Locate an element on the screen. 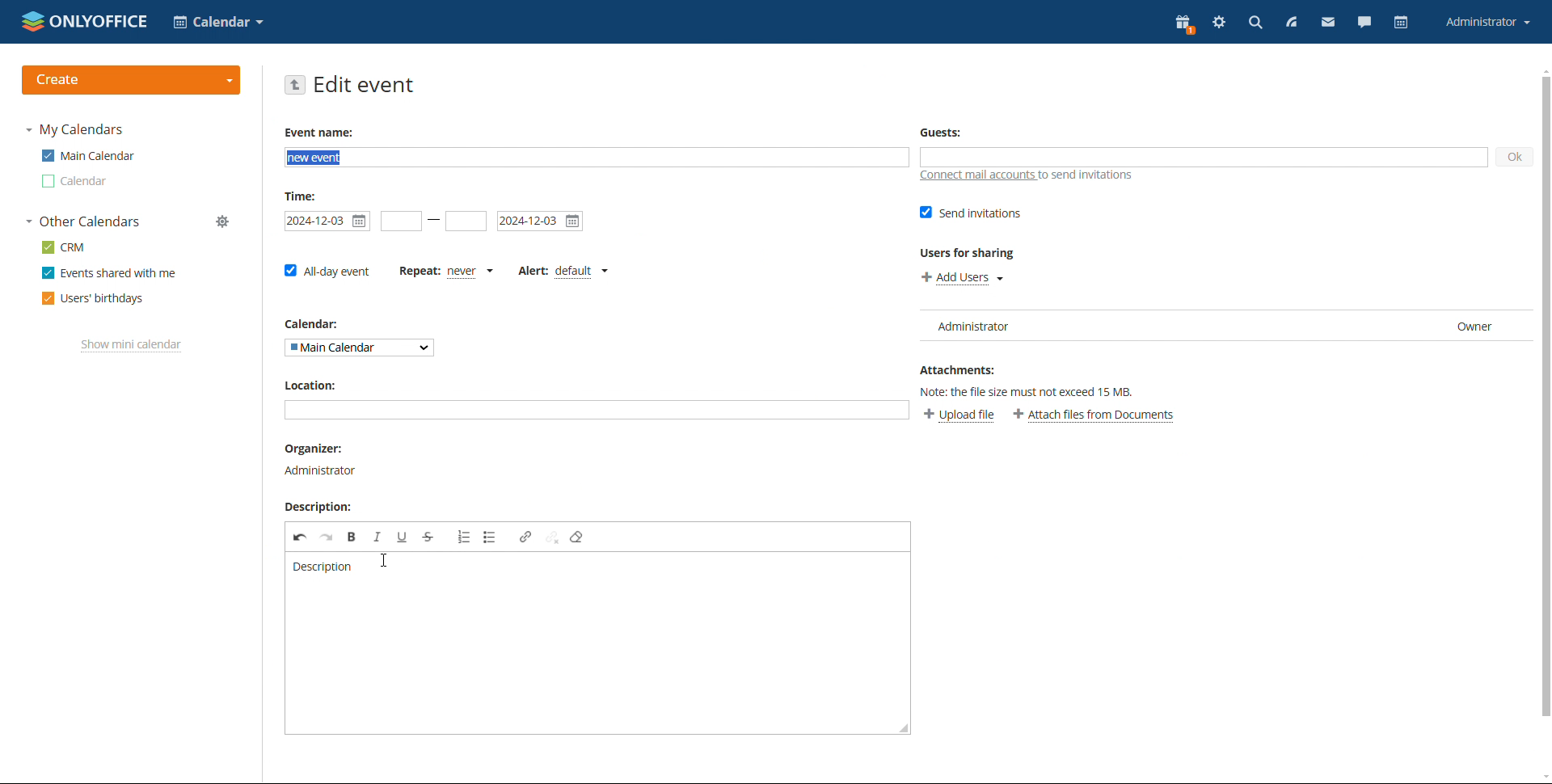 The width and height of the screenshot is (1552, 784). select calendar is located at coordinates (360, 347).